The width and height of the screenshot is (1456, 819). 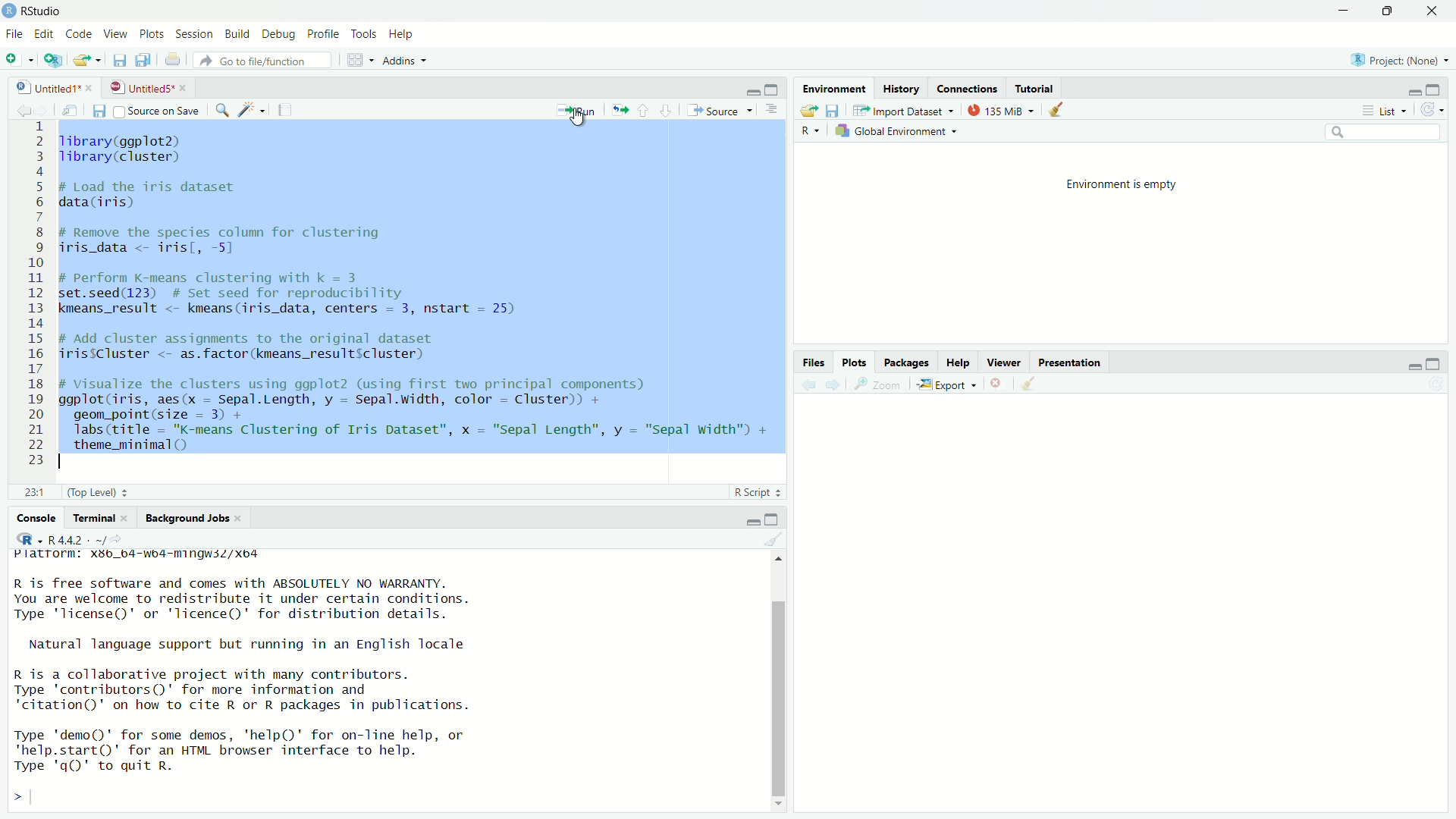 What do you see at coordinates (86, 59) in the screenshot?
I see `open an existing file` at bounding box center [86, 59].